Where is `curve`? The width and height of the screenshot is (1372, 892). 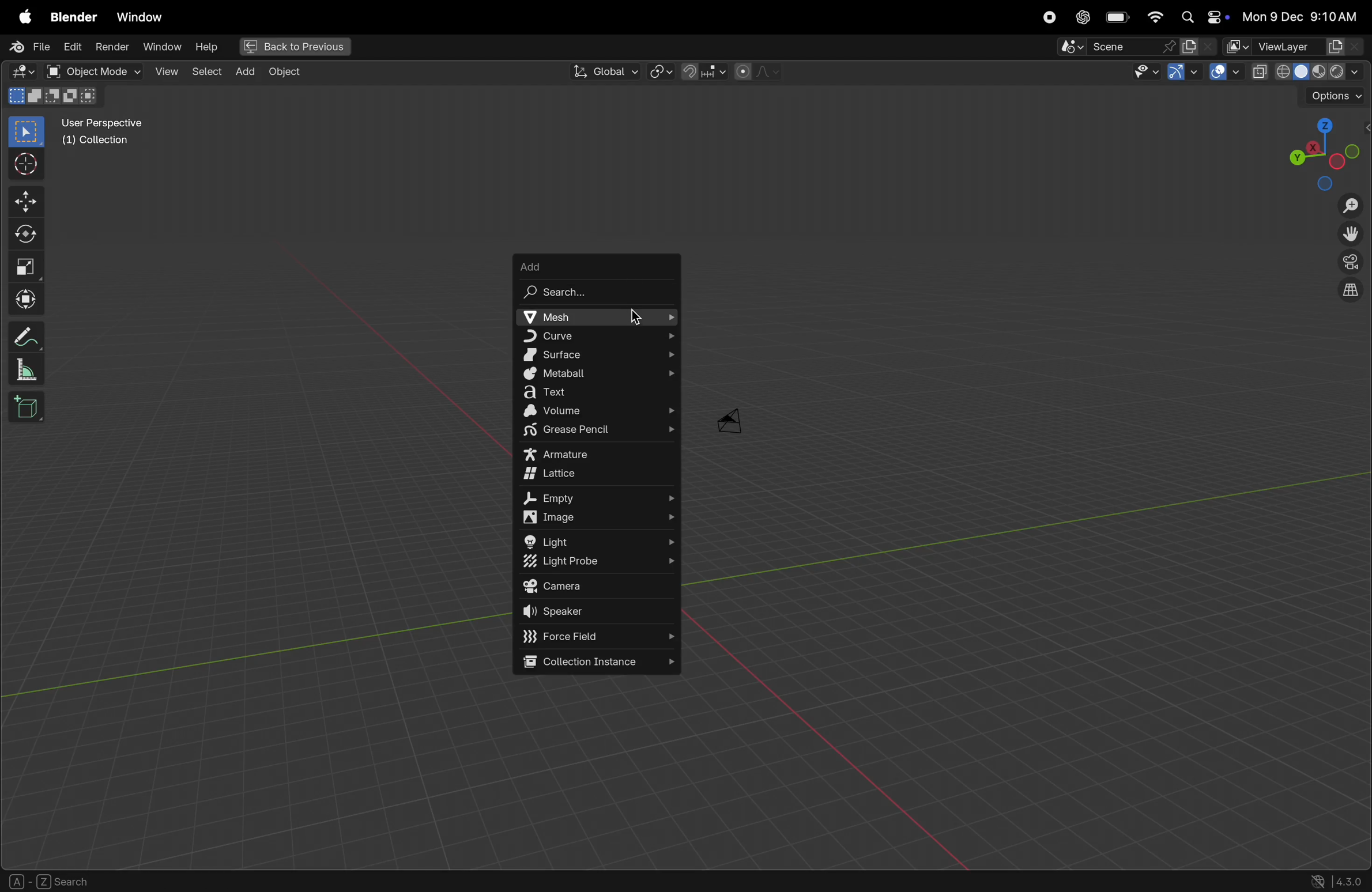 curve is located at coordinates (594, 336).